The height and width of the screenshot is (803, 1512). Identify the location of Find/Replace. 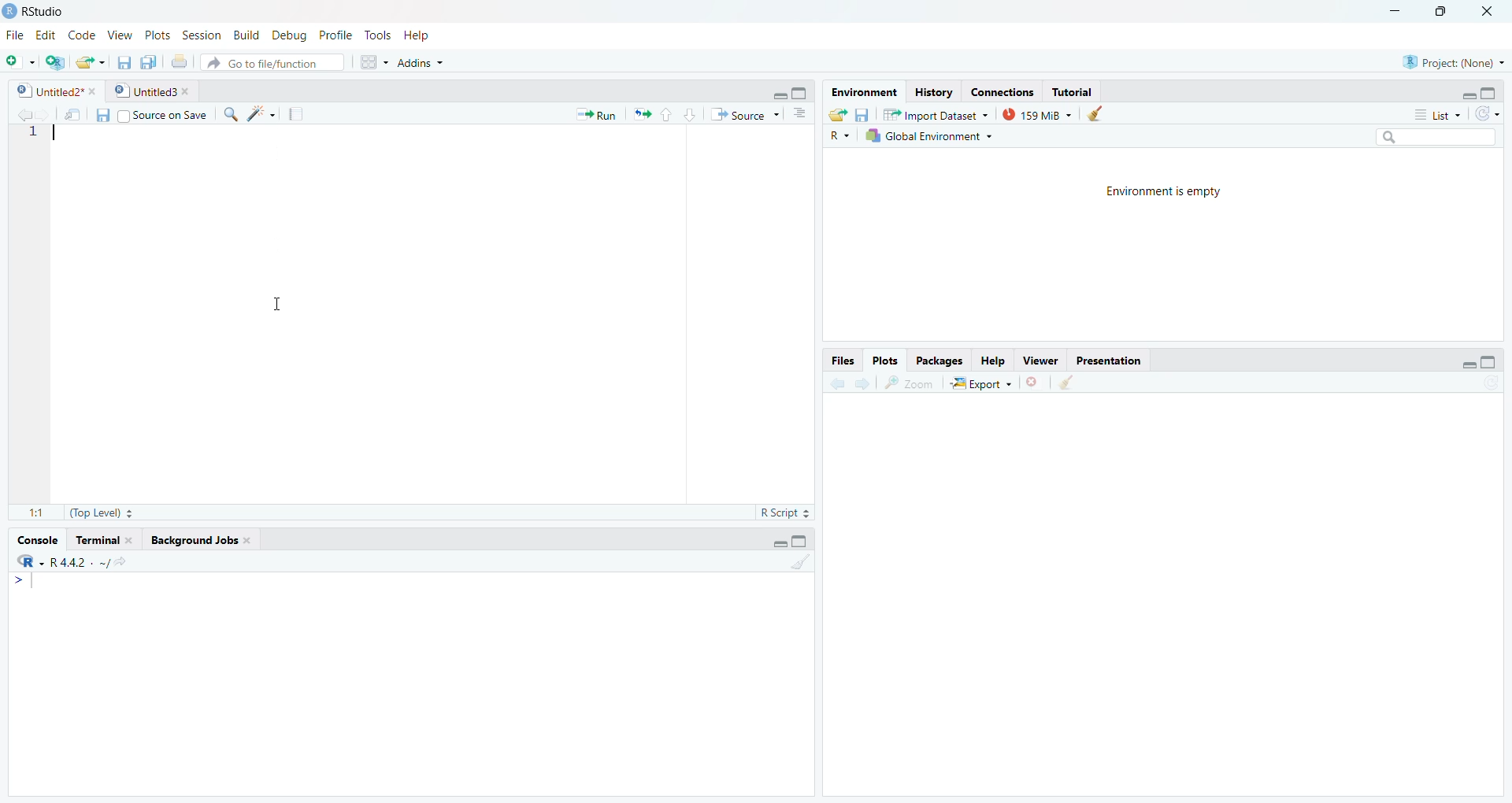
(230, 113).